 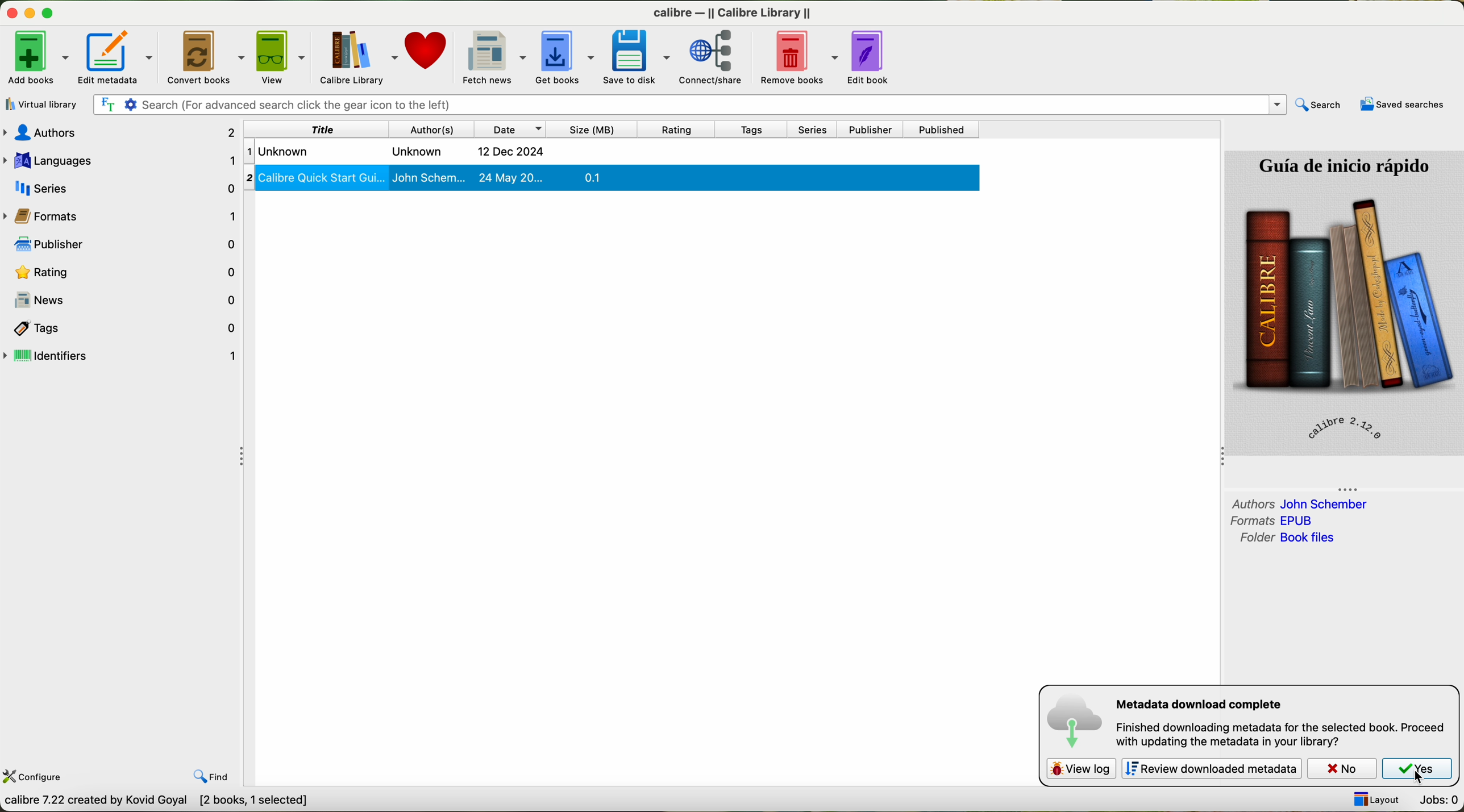 I want to click on donate, so click(x=427, y=50).